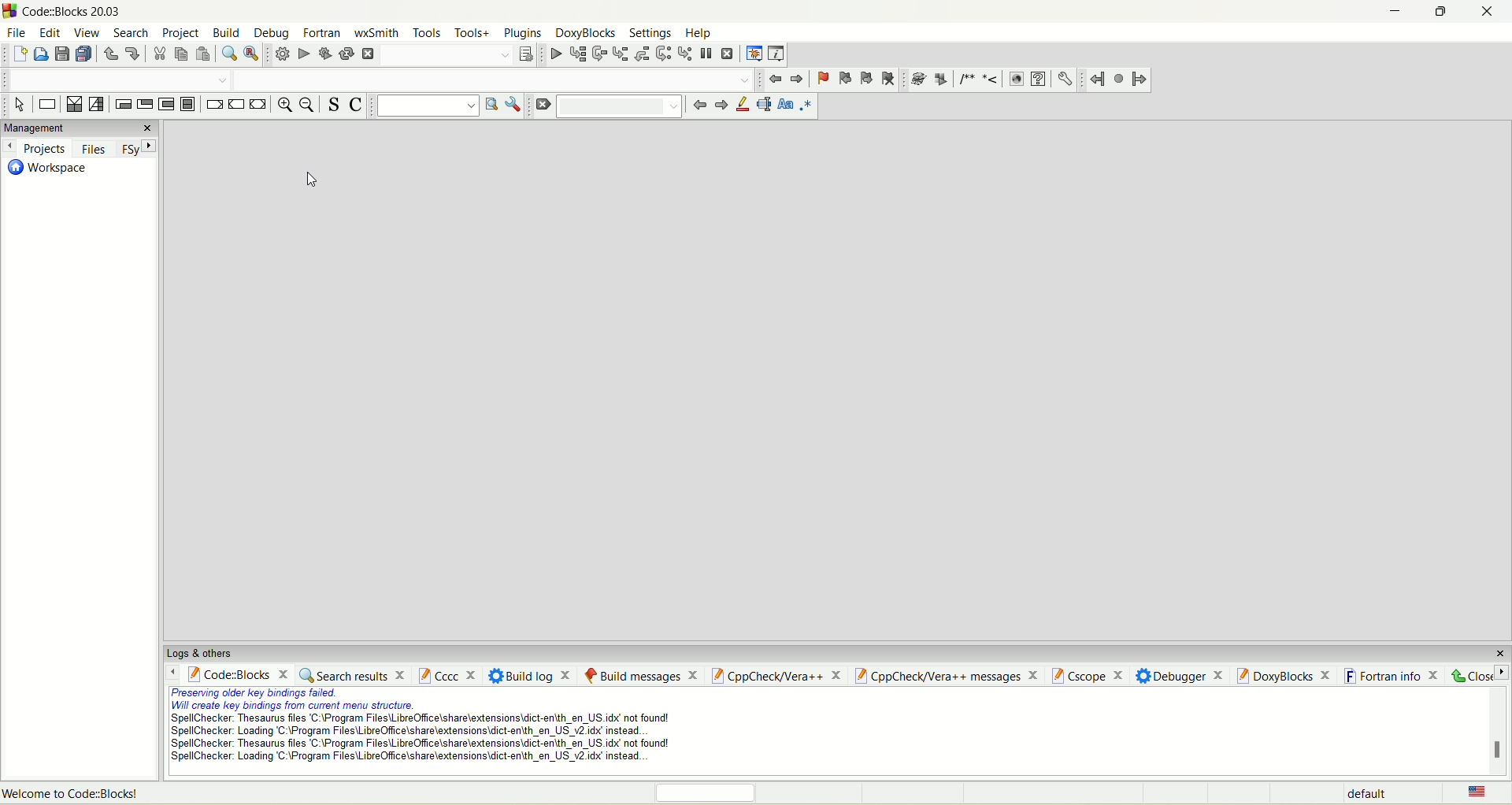 This screenshot has width=1512, height=805. I want to click on rebuild, so click(346, 54).